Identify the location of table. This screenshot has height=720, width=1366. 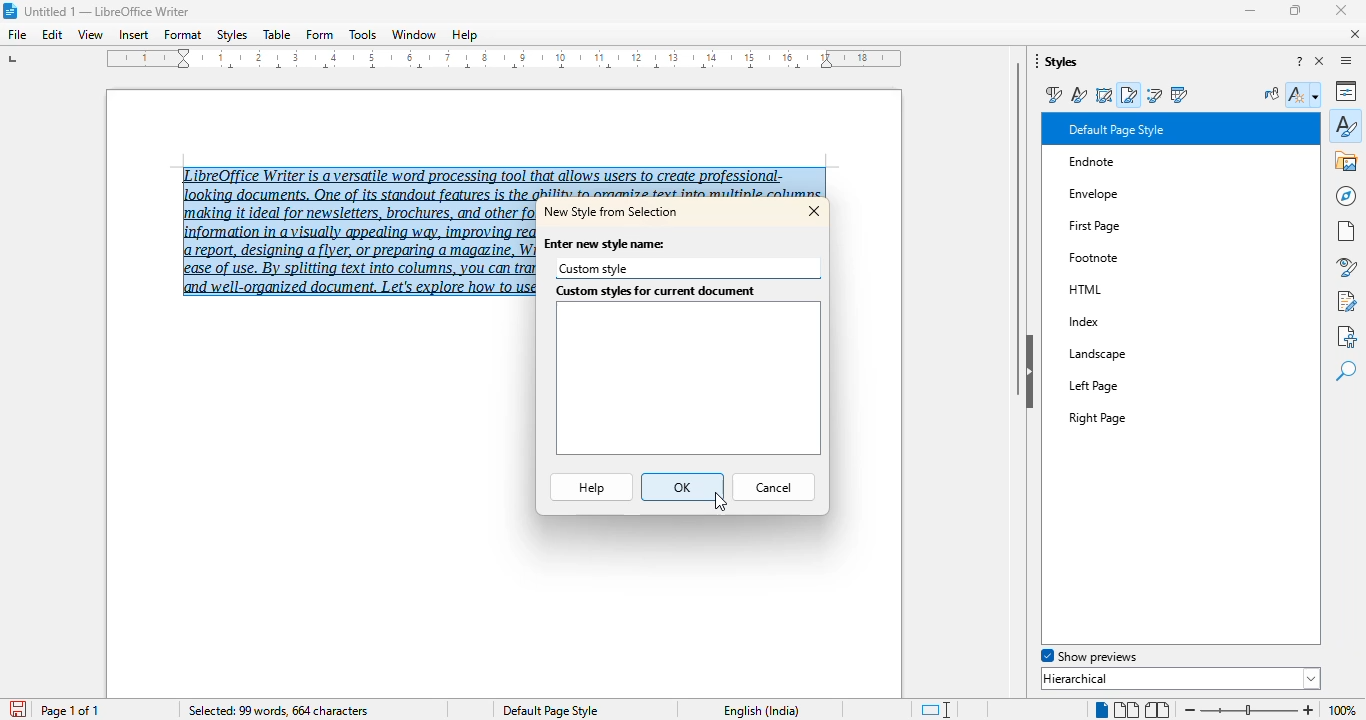
(277, 35).